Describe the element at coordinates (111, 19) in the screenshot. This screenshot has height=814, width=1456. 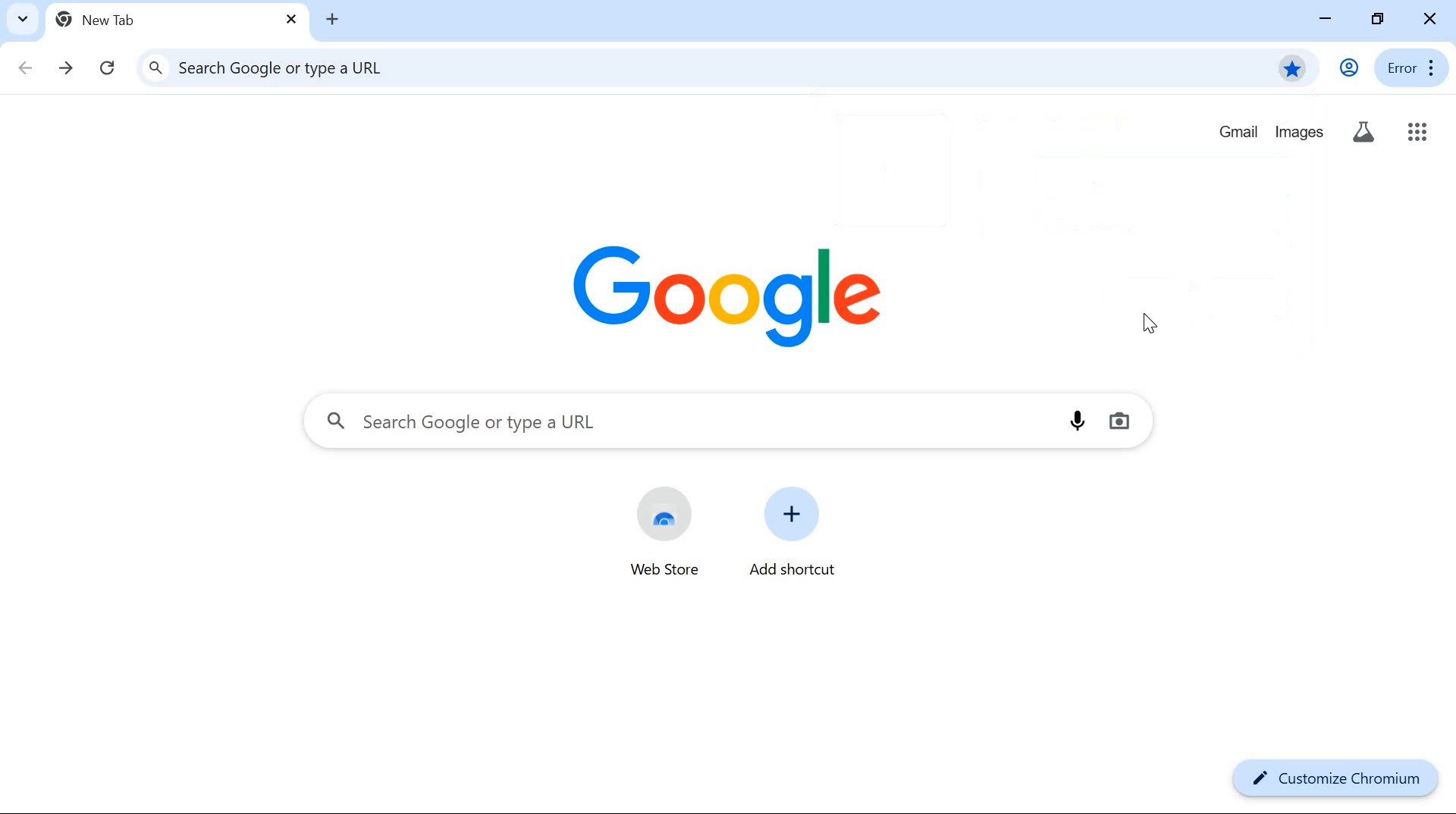
I see `new tab` at that location.